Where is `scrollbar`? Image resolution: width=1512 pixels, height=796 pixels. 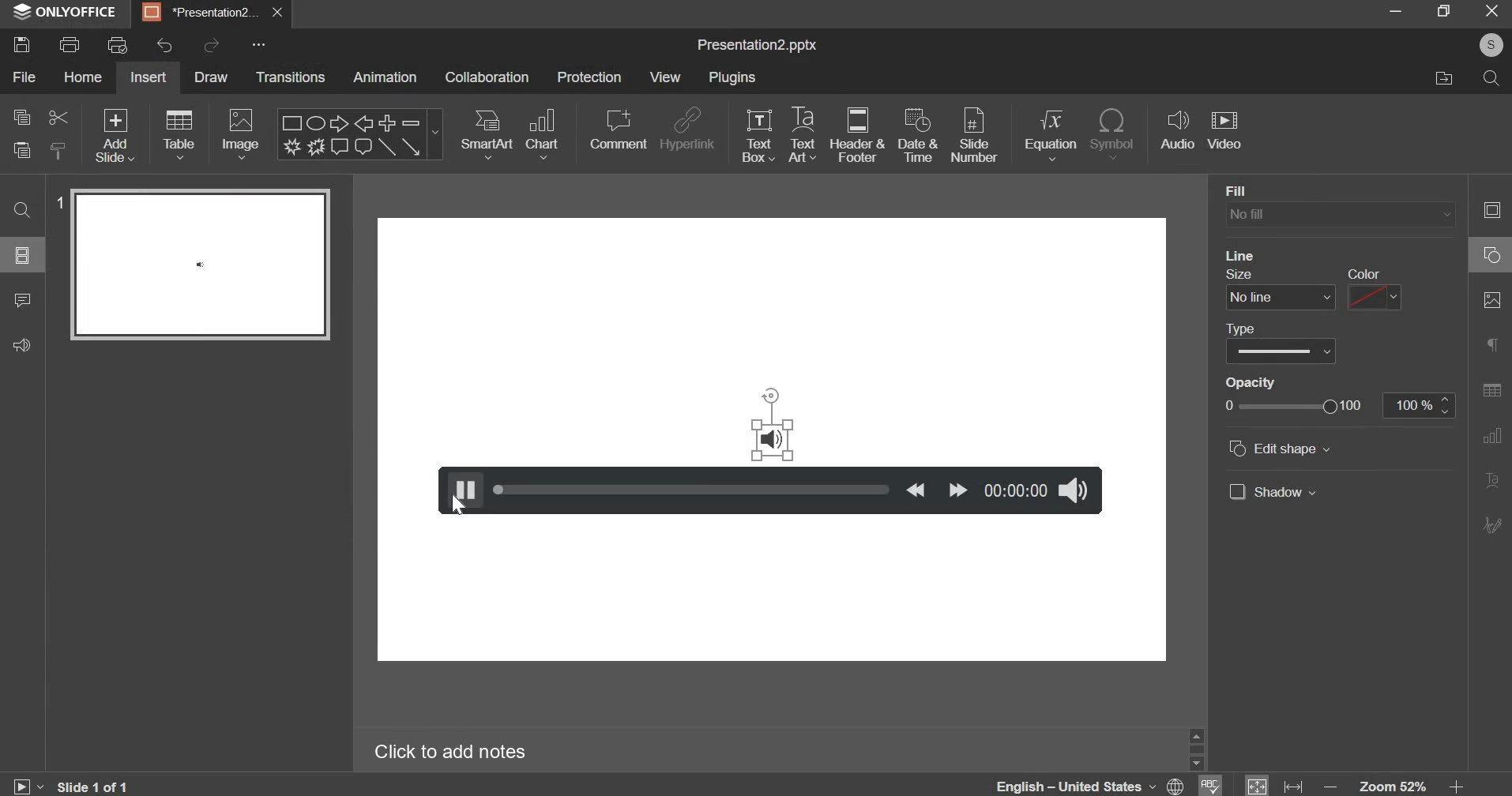
scrollbar is located at coordinates (1196, 749).